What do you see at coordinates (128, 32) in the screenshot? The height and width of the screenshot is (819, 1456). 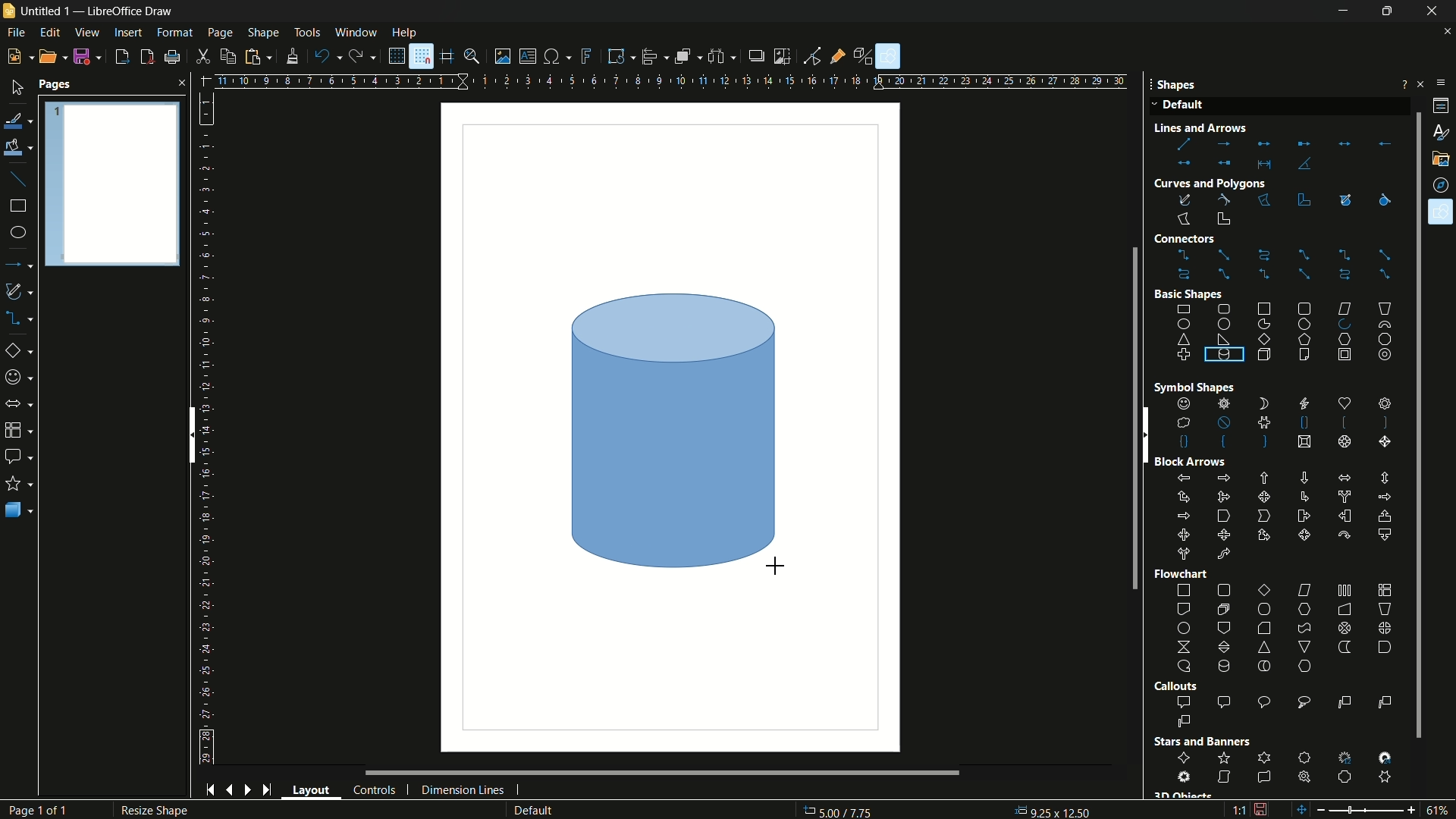 I see `insert menu` at bounding box center [128, 32].